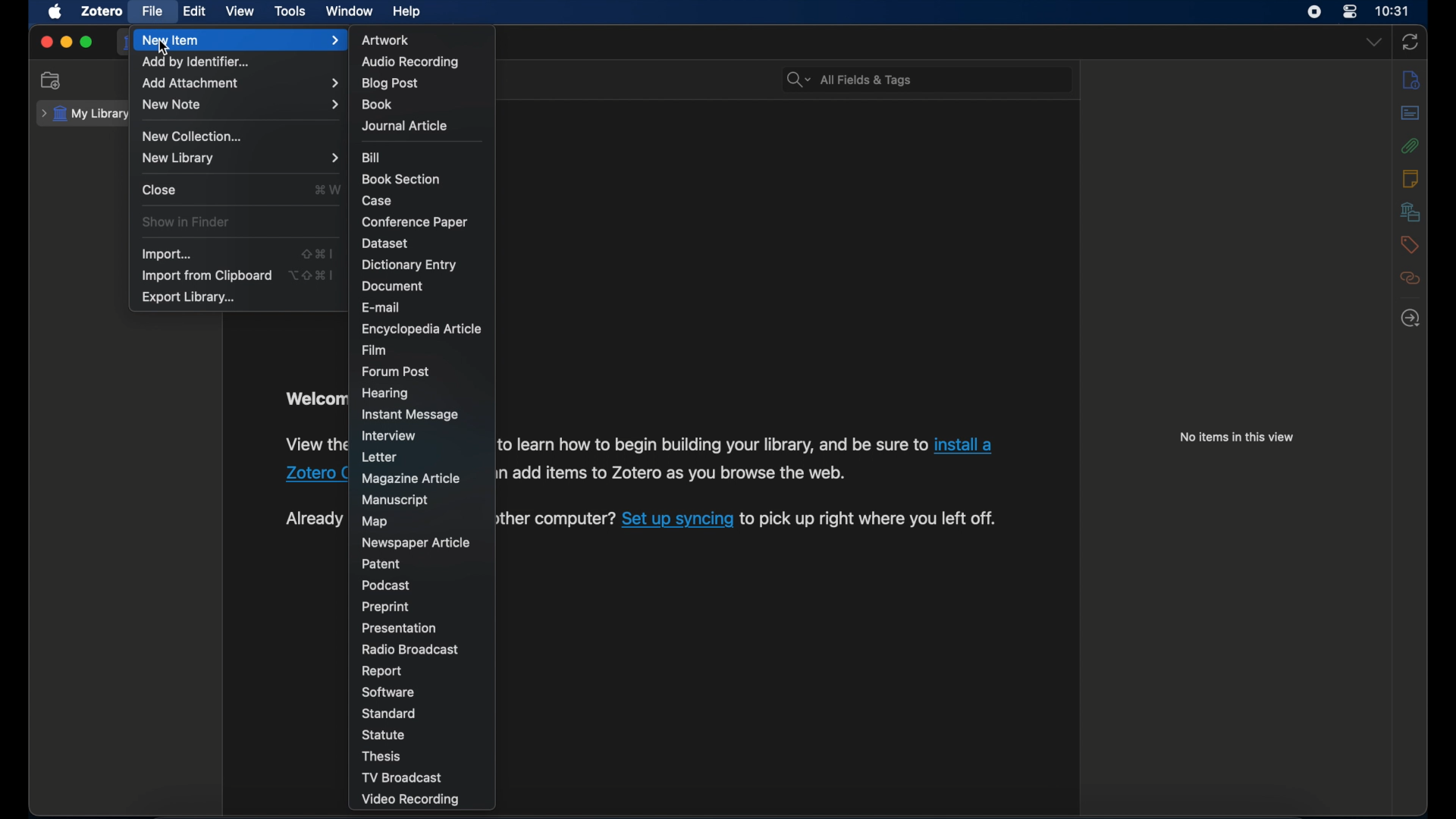  Describe the element at coordinates (317, 253) in the screenshot. I see `shortcut` at that location.